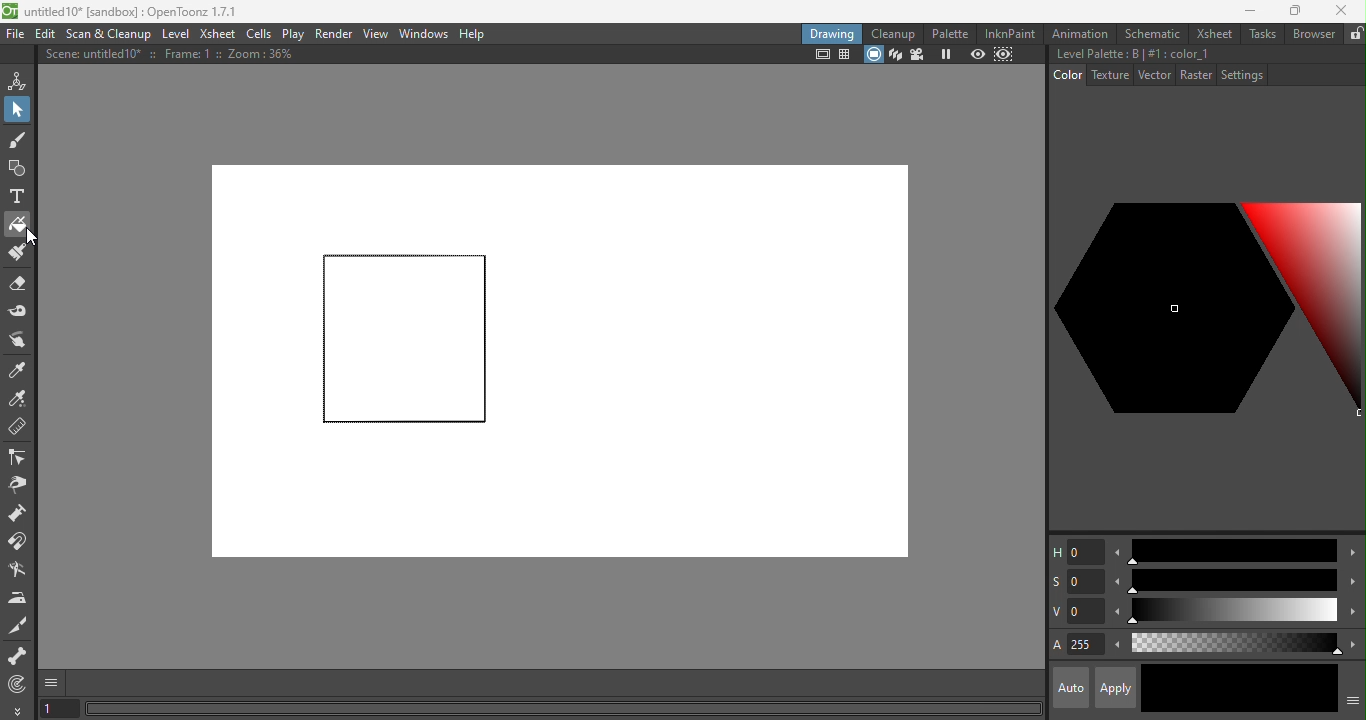  I want to click on Cleanup, so click(893, 33).